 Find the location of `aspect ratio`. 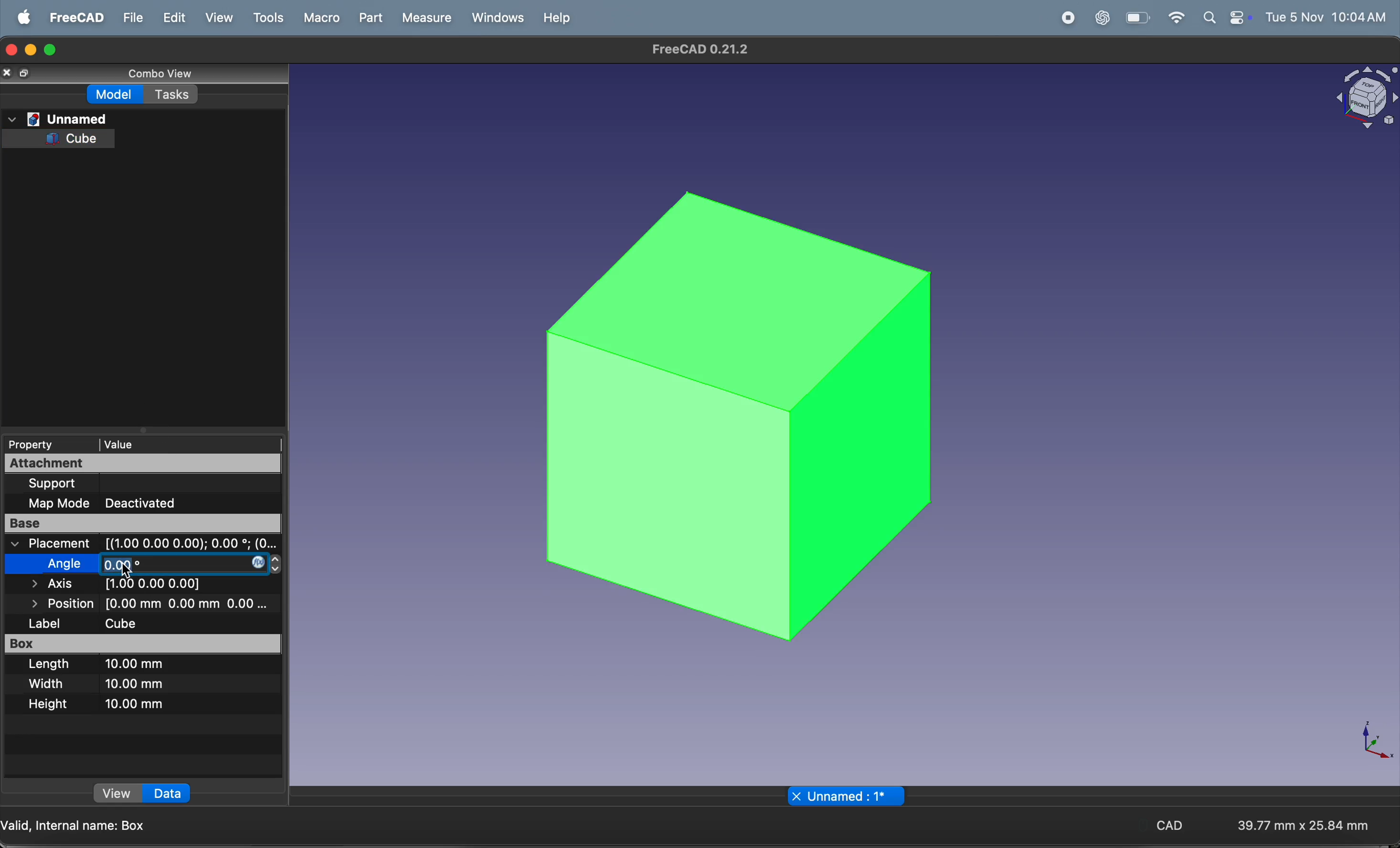

aspect ratio is located at coordinates (1299, 824).